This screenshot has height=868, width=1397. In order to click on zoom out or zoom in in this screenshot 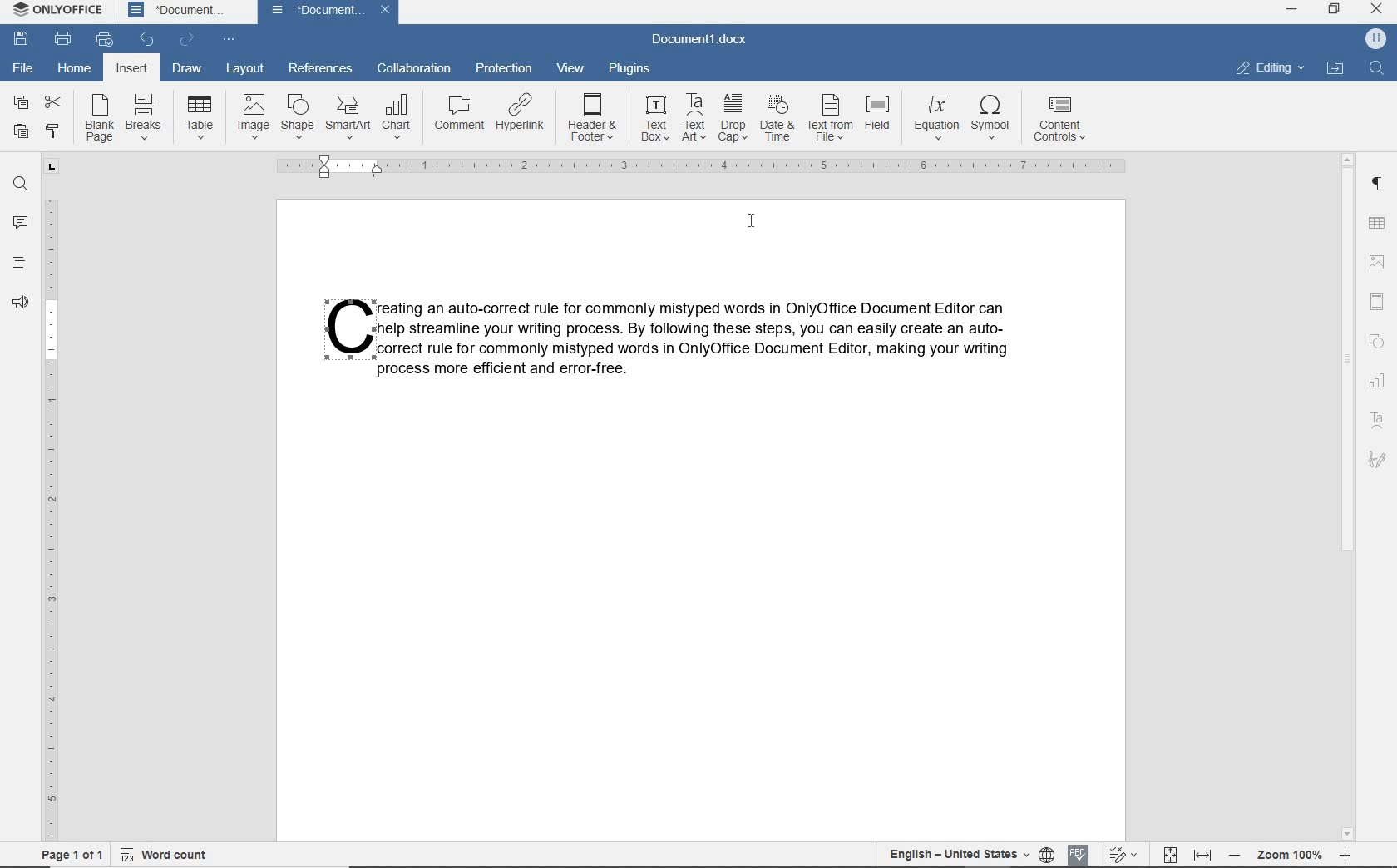, I will do `click(1295, 856)`.